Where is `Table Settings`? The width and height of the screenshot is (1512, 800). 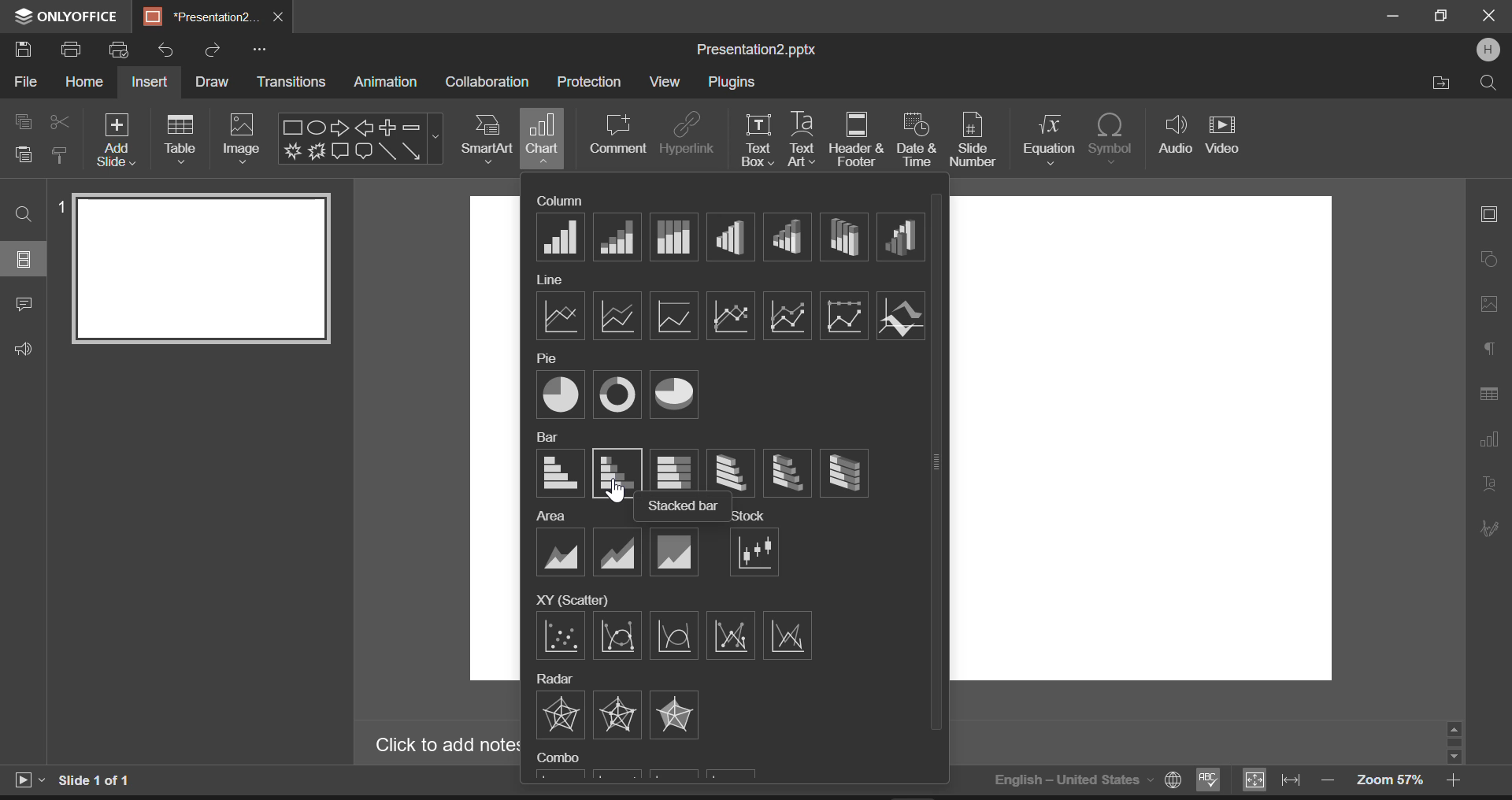 Table Settings is located at coordinates (1489, 394).